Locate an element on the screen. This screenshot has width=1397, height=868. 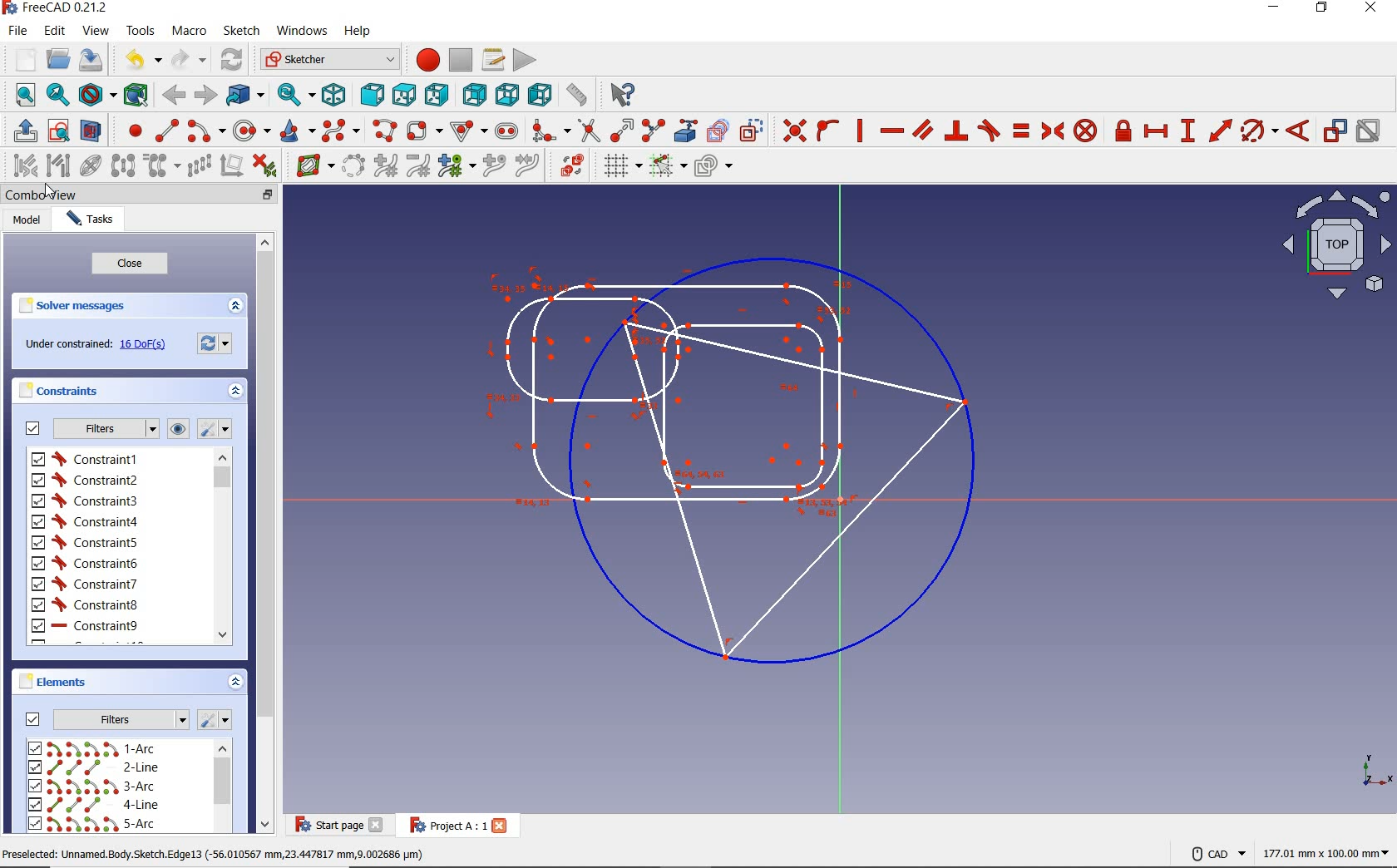
open is located at coordinates (56, 60).